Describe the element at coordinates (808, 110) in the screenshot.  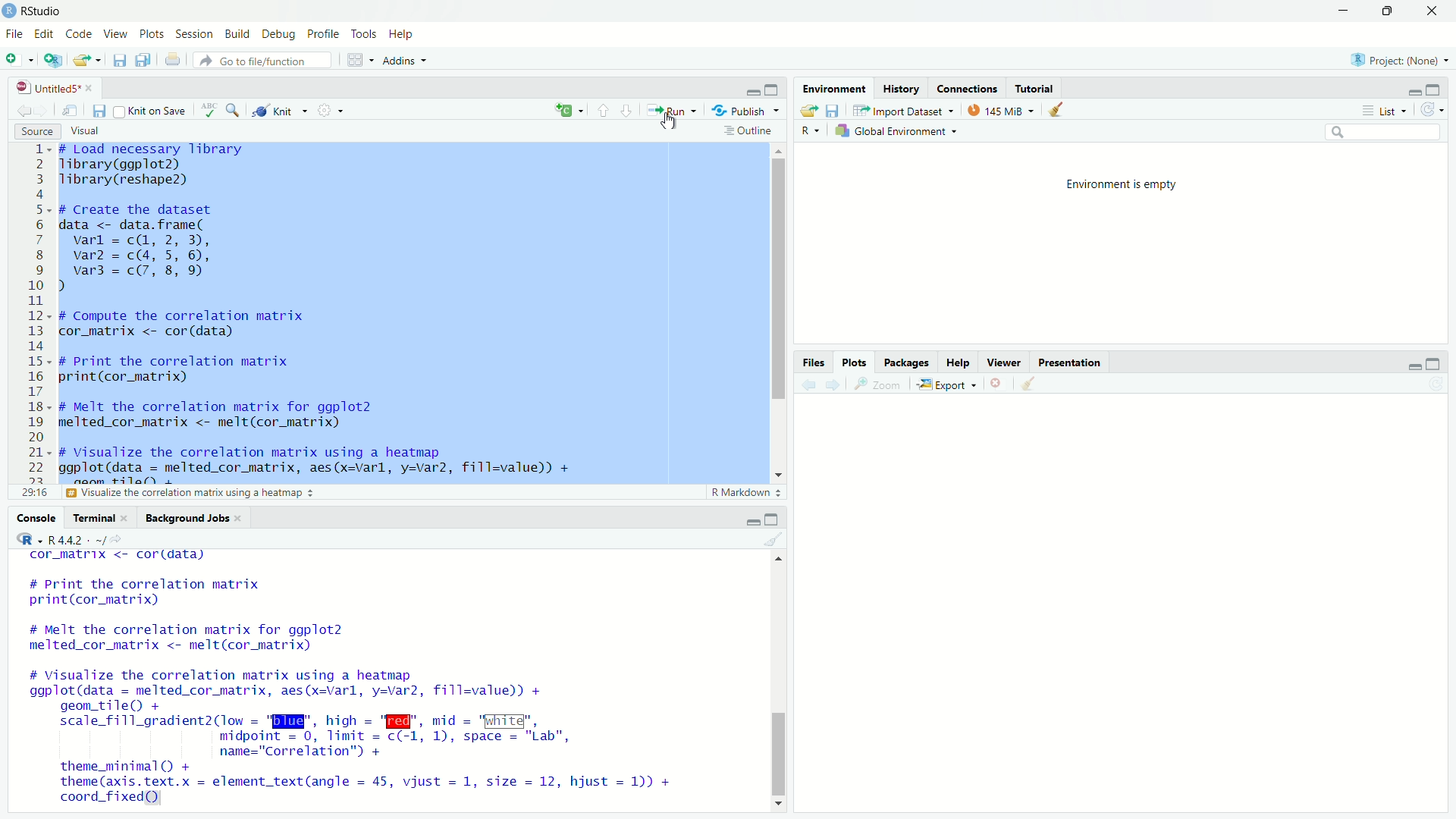
I see `load workspace` at that location.